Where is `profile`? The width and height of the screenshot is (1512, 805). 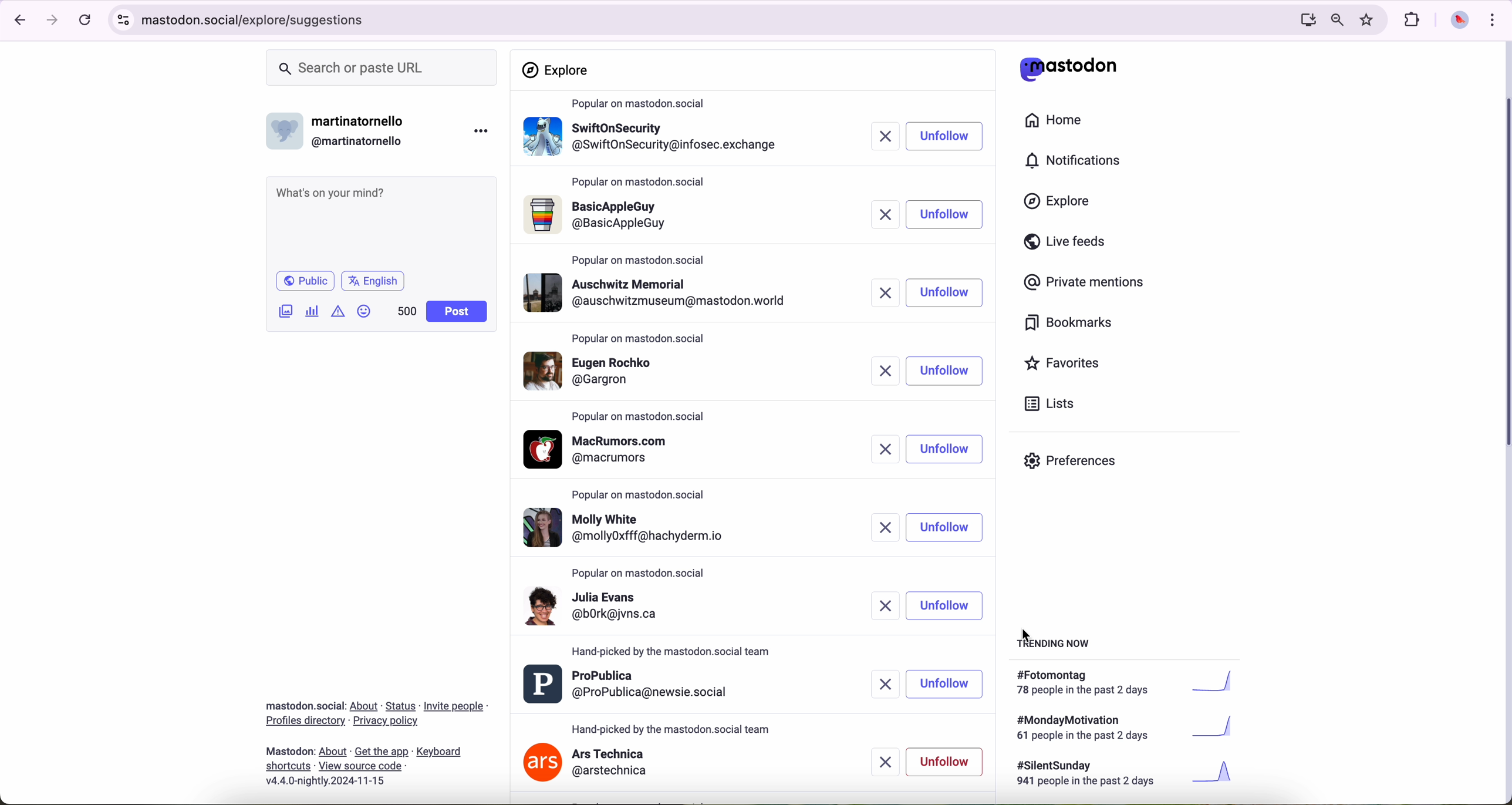
profile is located at coordinates (629, 685).